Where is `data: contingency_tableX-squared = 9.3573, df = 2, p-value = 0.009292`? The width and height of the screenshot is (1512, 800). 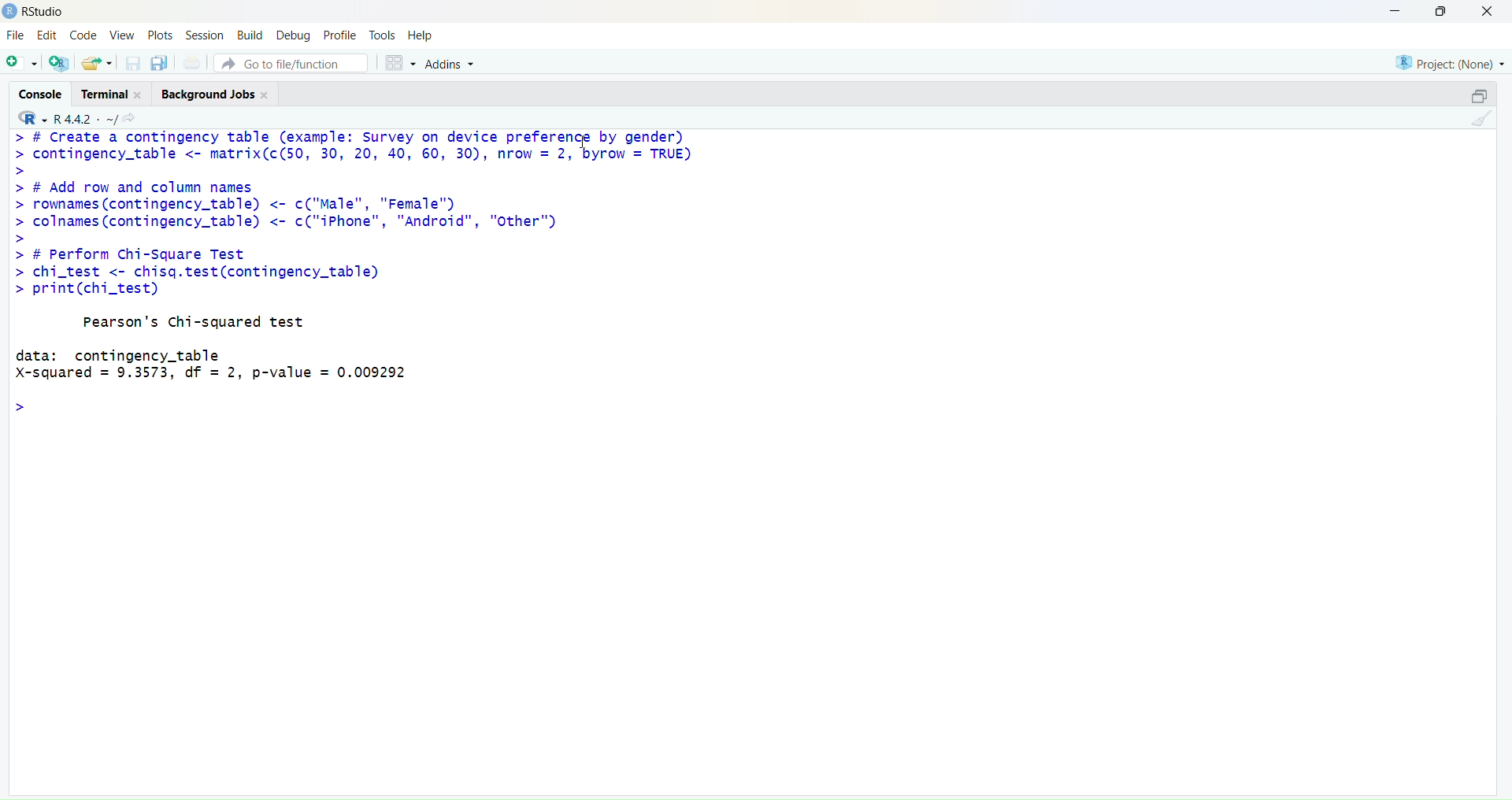
data: contingency_tableX-squared = 9.3573, df = 2, p-value = 0.009292 is located at coordinates (212, 365).